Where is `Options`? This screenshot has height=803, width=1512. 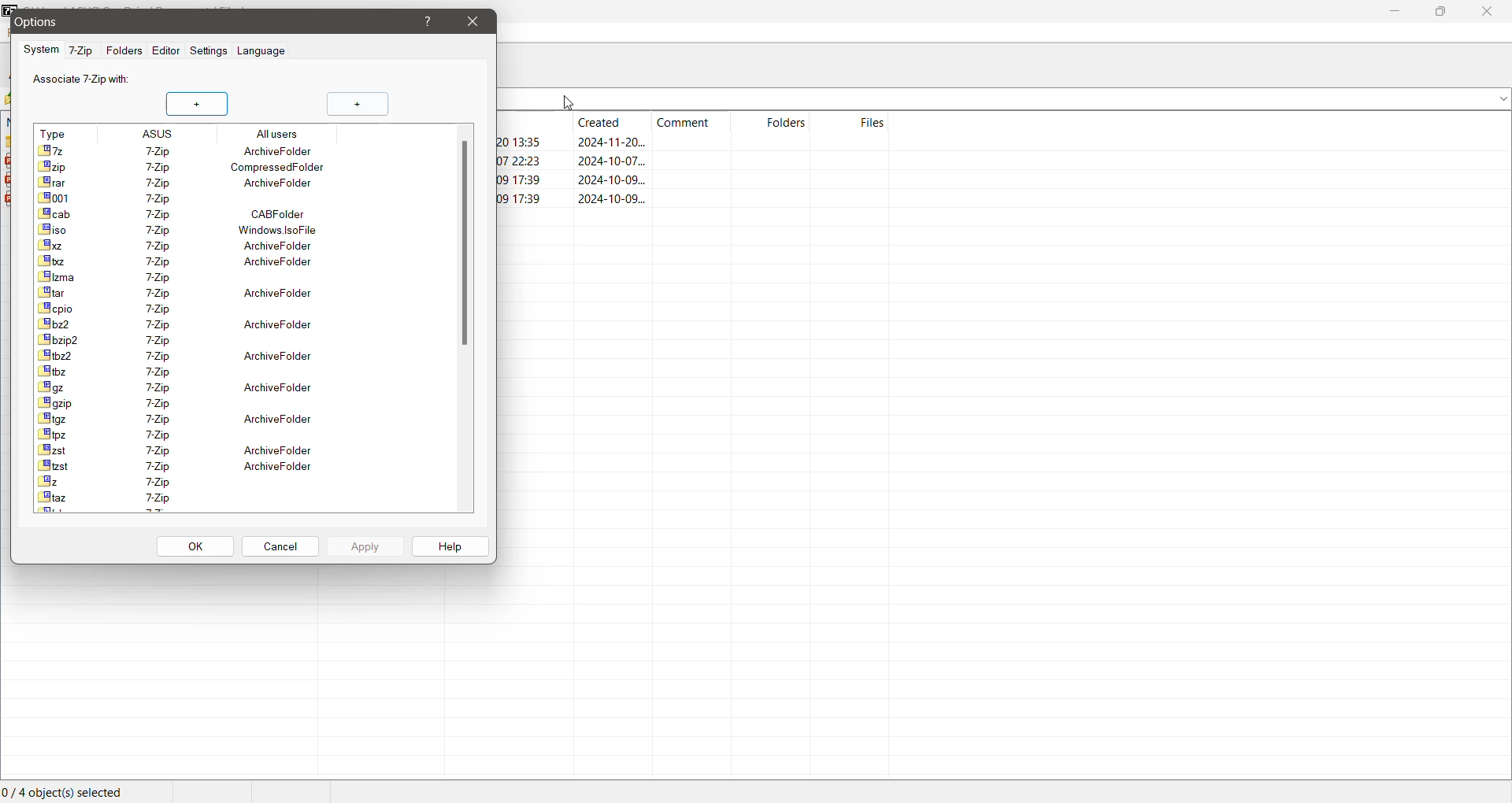 Options is located at coordinates (120, 22).